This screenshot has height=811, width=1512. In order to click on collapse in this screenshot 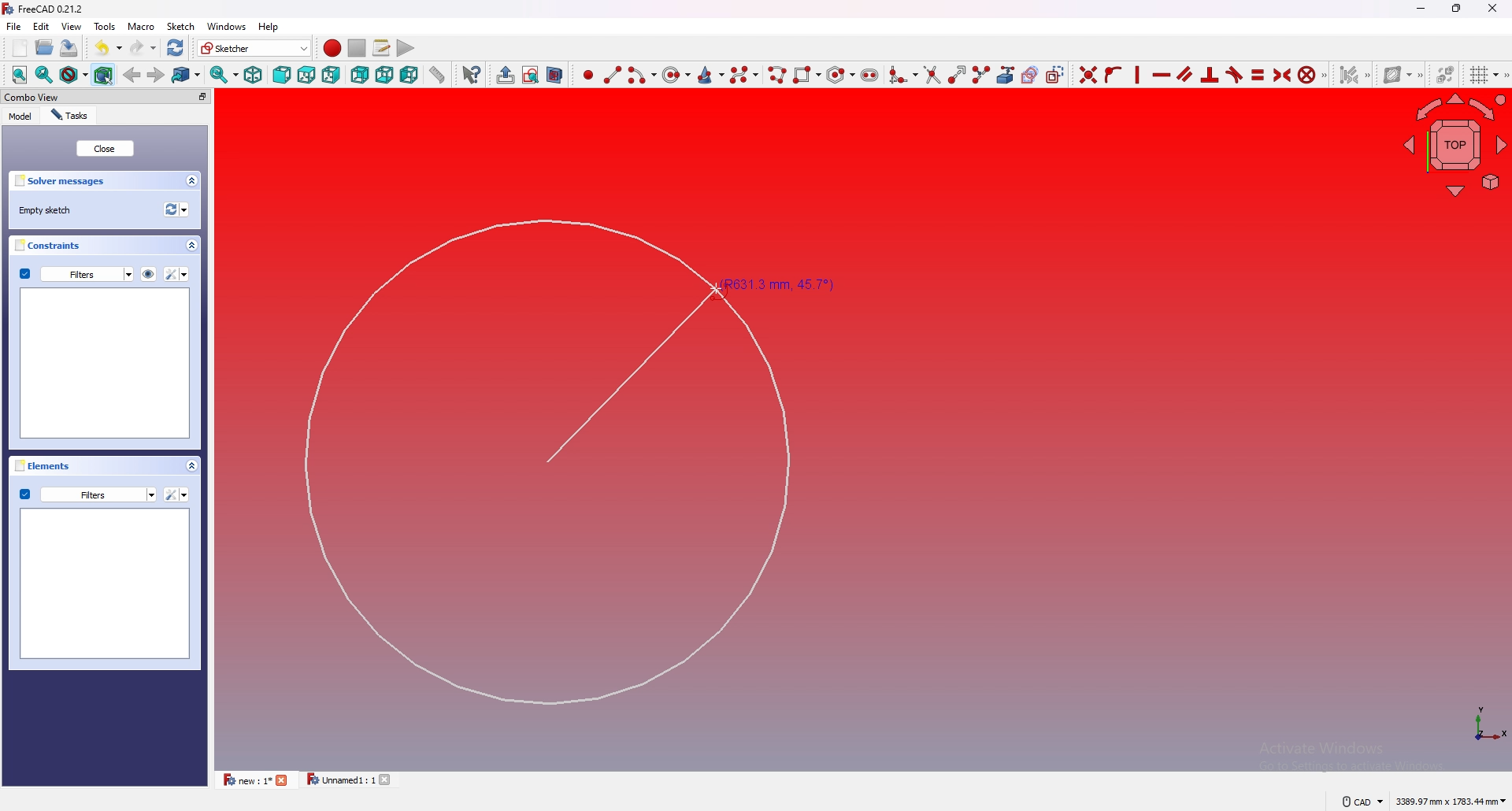, I will do `click(192, 246)`.